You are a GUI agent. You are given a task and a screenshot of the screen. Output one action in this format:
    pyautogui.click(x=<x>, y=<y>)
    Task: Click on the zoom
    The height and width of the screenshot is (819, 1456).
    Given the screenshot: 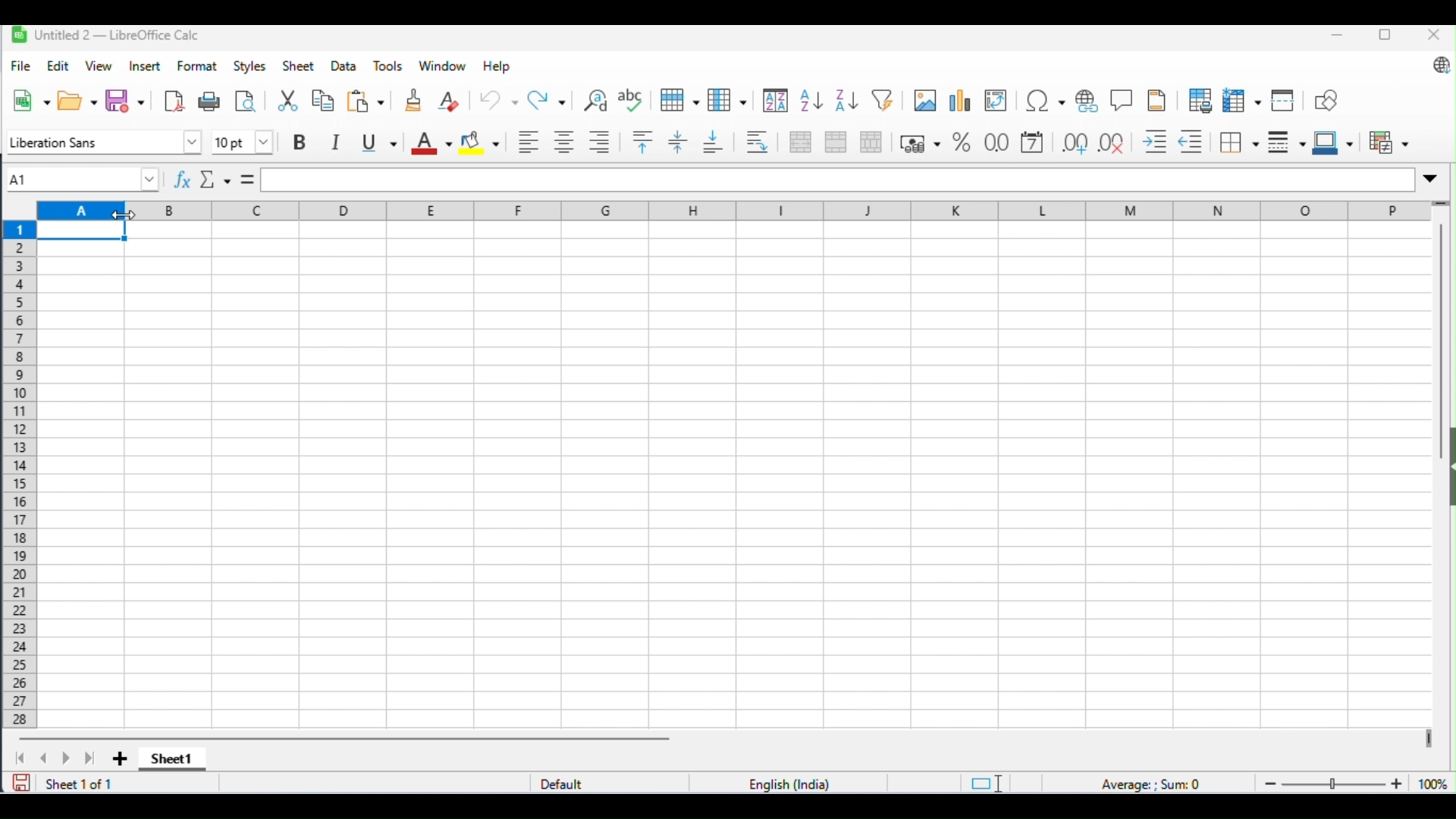 What is the action you would take?
    pyautogui.click(x=1352, y=782)
    